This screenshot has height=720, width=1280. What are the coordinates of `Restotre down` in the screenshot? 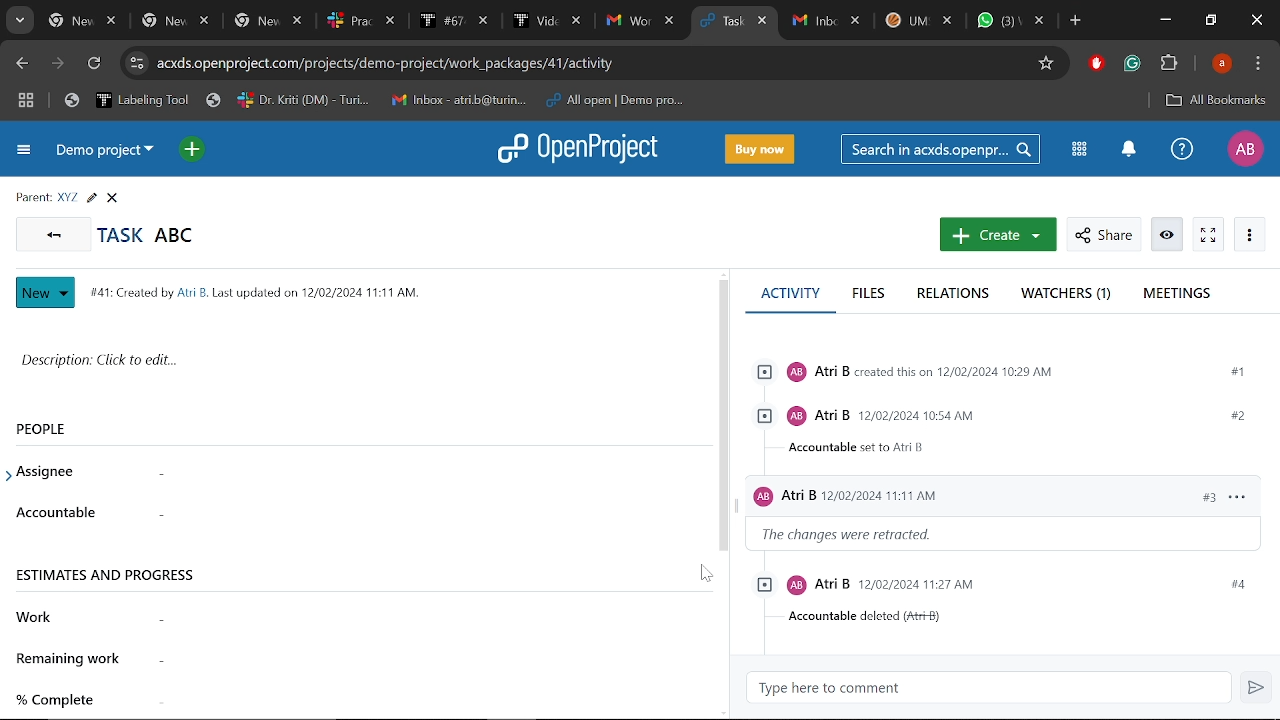 It's located at (1210, 20).